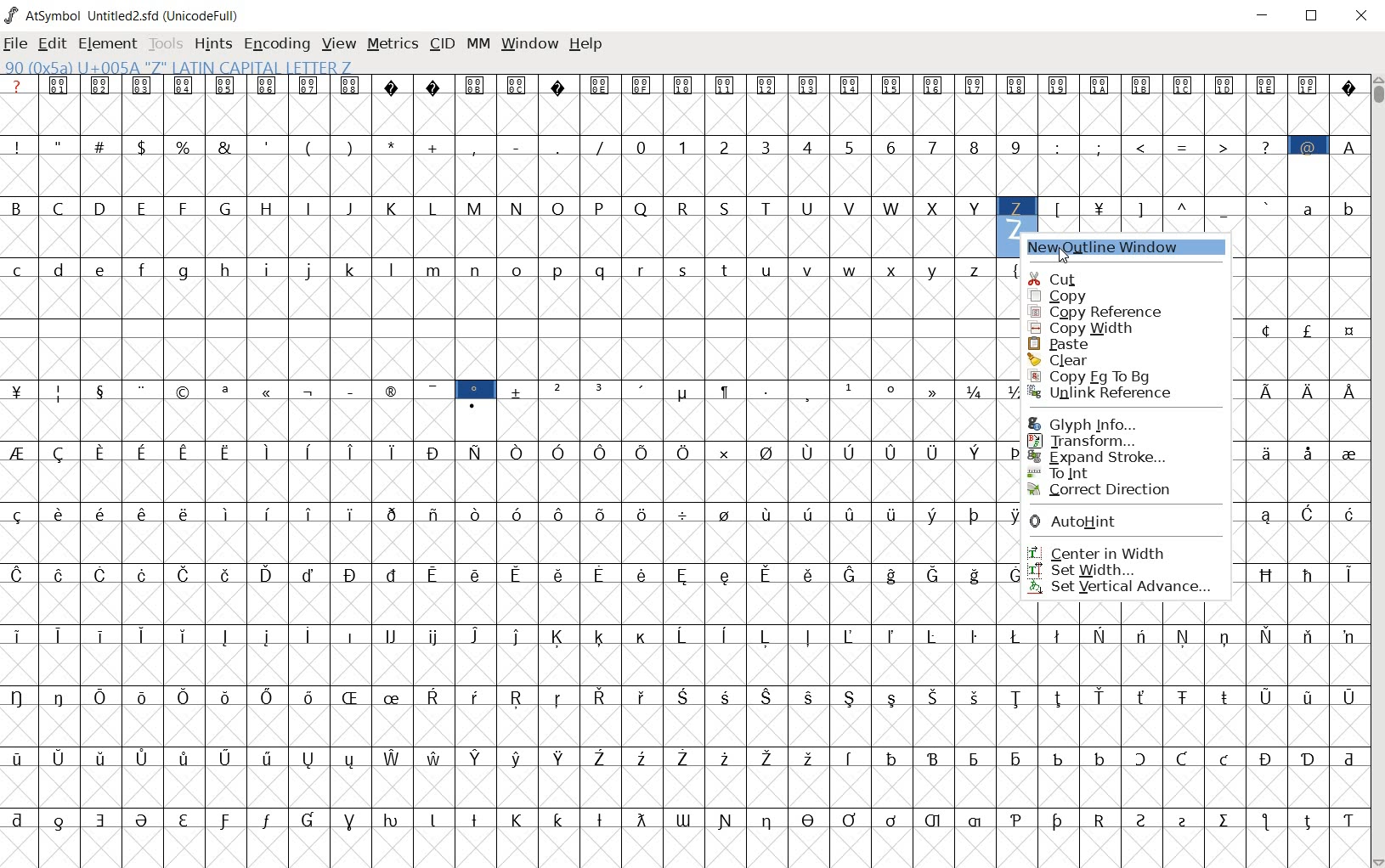  What do you see at coordinates (394, 45) in the screenshot?
I see `metrics` at bounding box center [394, 45].